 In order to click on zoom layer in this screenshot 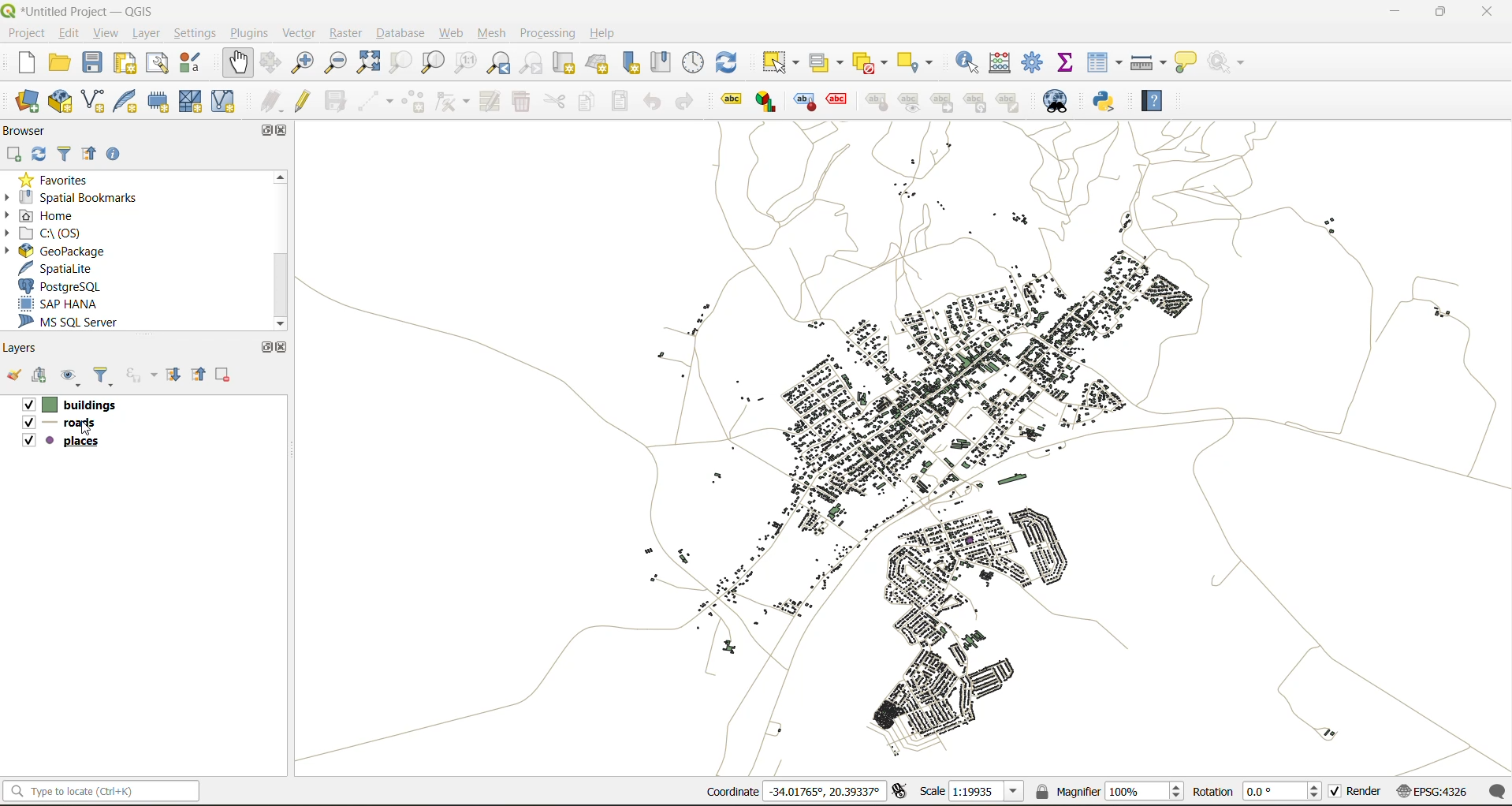, I will do `click(434, 61)`.